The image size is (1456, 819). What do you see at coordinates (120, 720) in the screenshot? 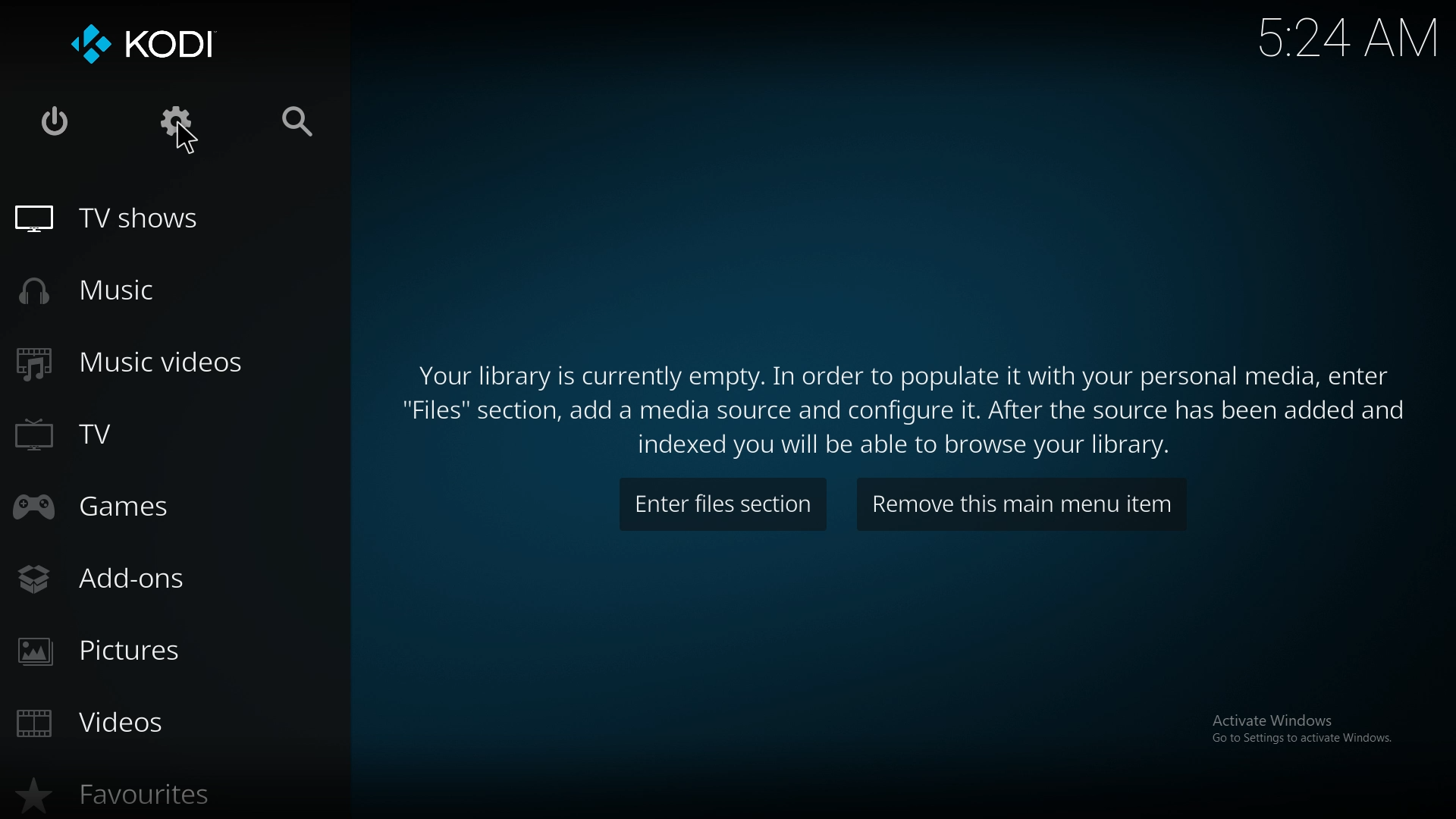
I see `videos` at bounding box center [120, 720].